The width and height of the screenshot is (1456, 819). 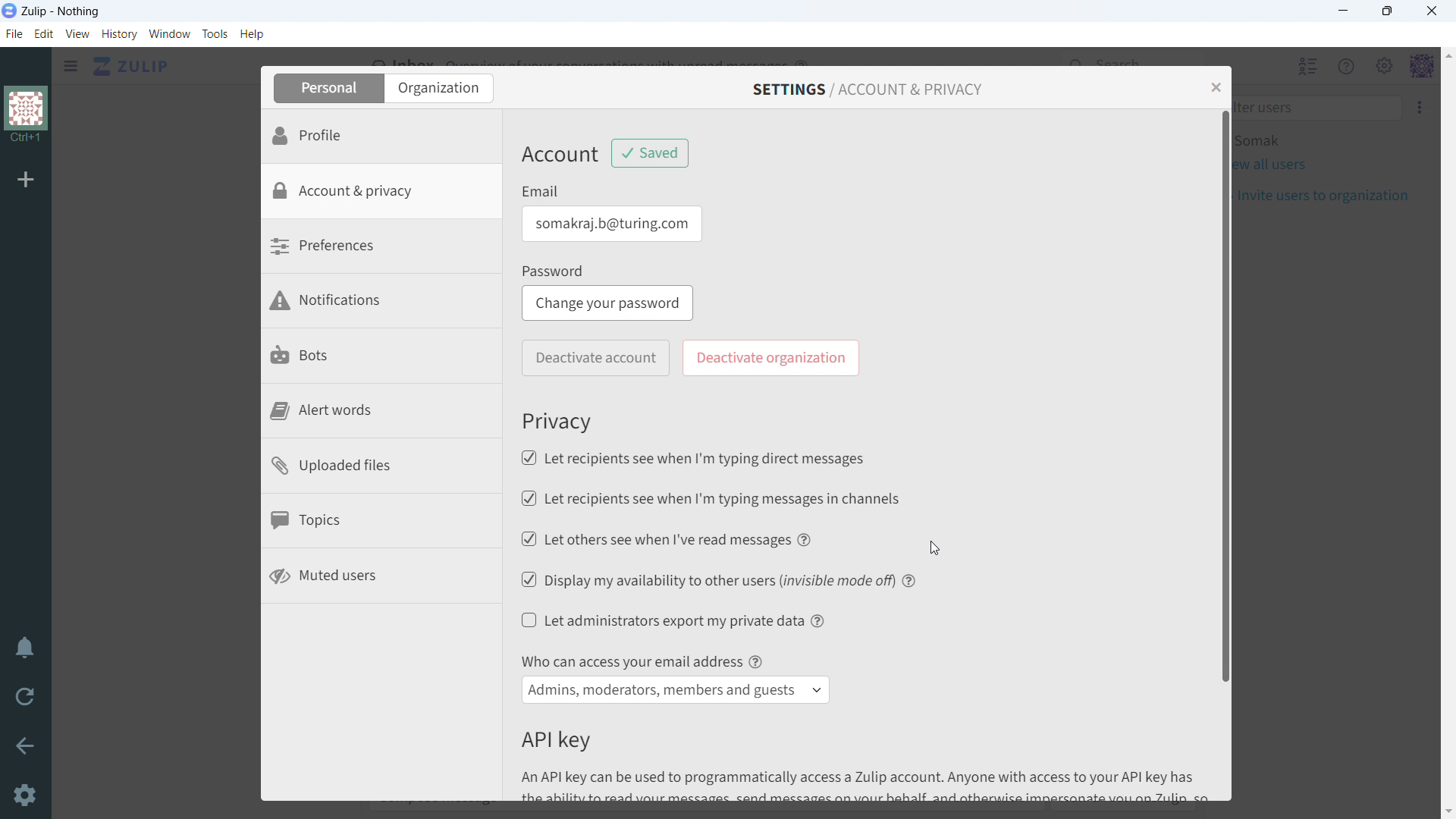 What do you see at coordinates (613, 224) in the screenshot?
I see `email` at bounding box center [613, 224].